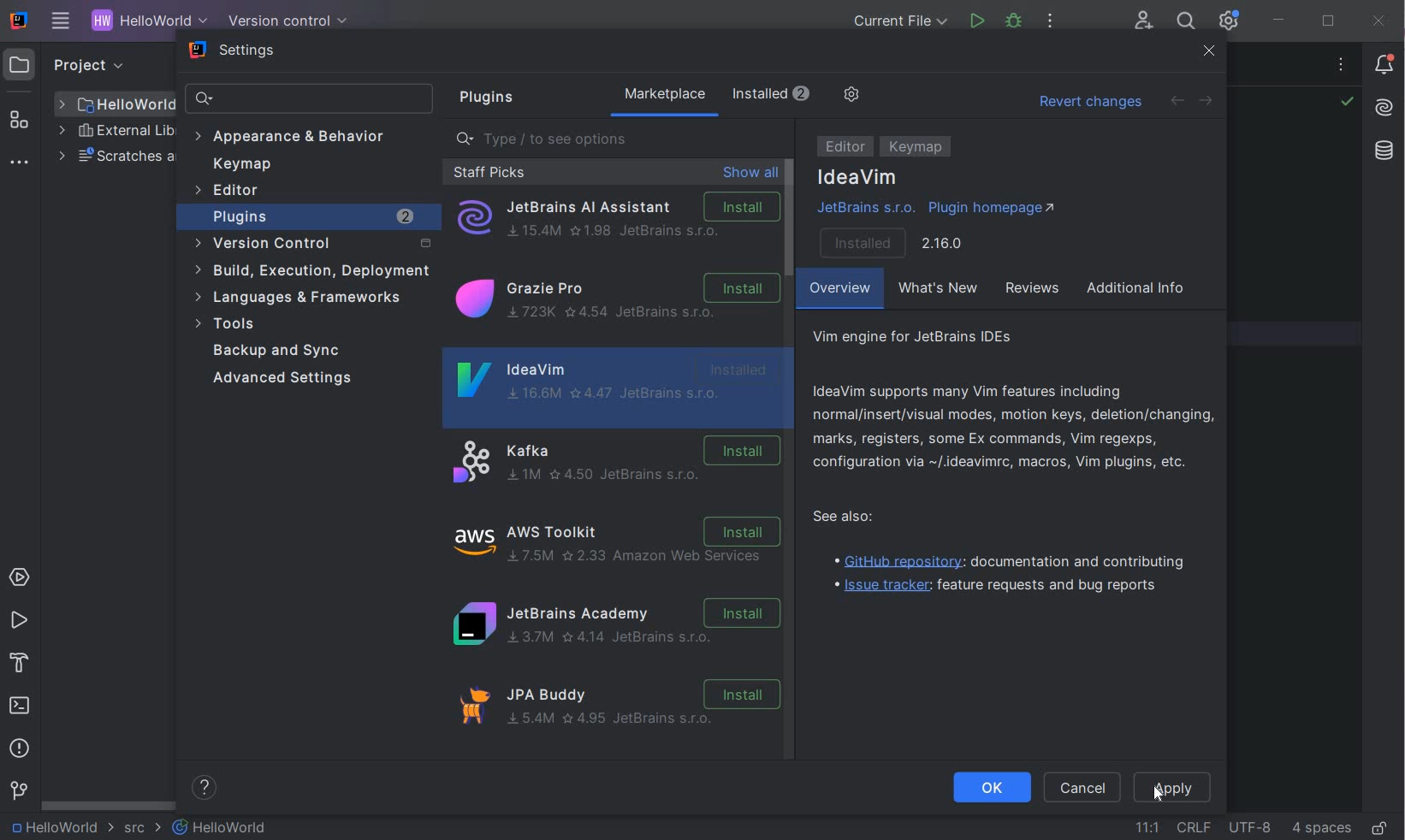  What do you see at coordinates (1193, 827) in the screenshot?
I see `LINE SEPARATOR` at bounding box center [1193, 827].